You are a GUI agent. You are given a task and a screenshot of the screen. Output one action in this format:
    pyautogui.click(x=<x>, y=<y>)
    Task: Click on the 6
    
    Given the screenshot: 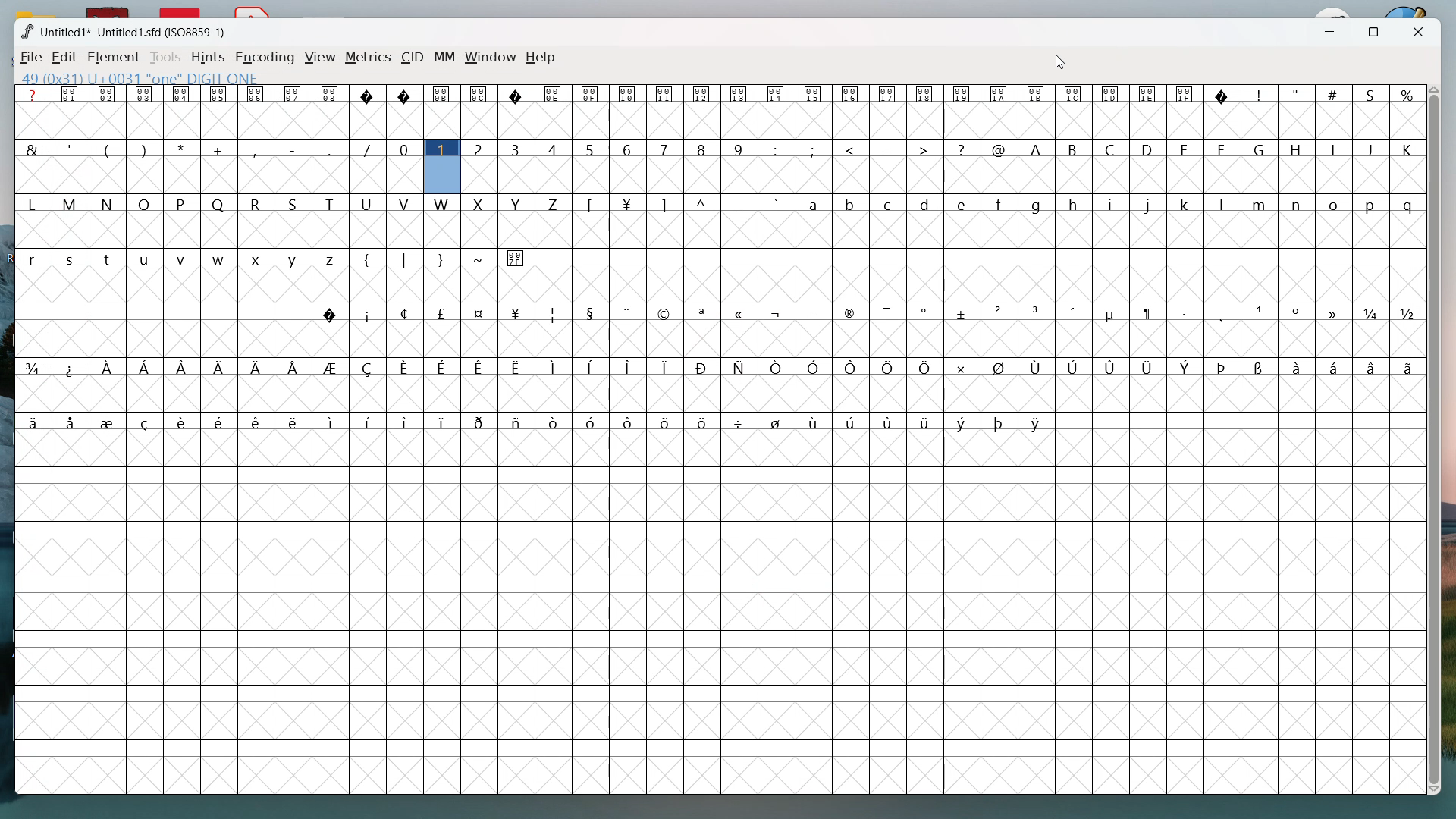 What is the action you would take?
    pyautogui.click(x=627, y=149)
    